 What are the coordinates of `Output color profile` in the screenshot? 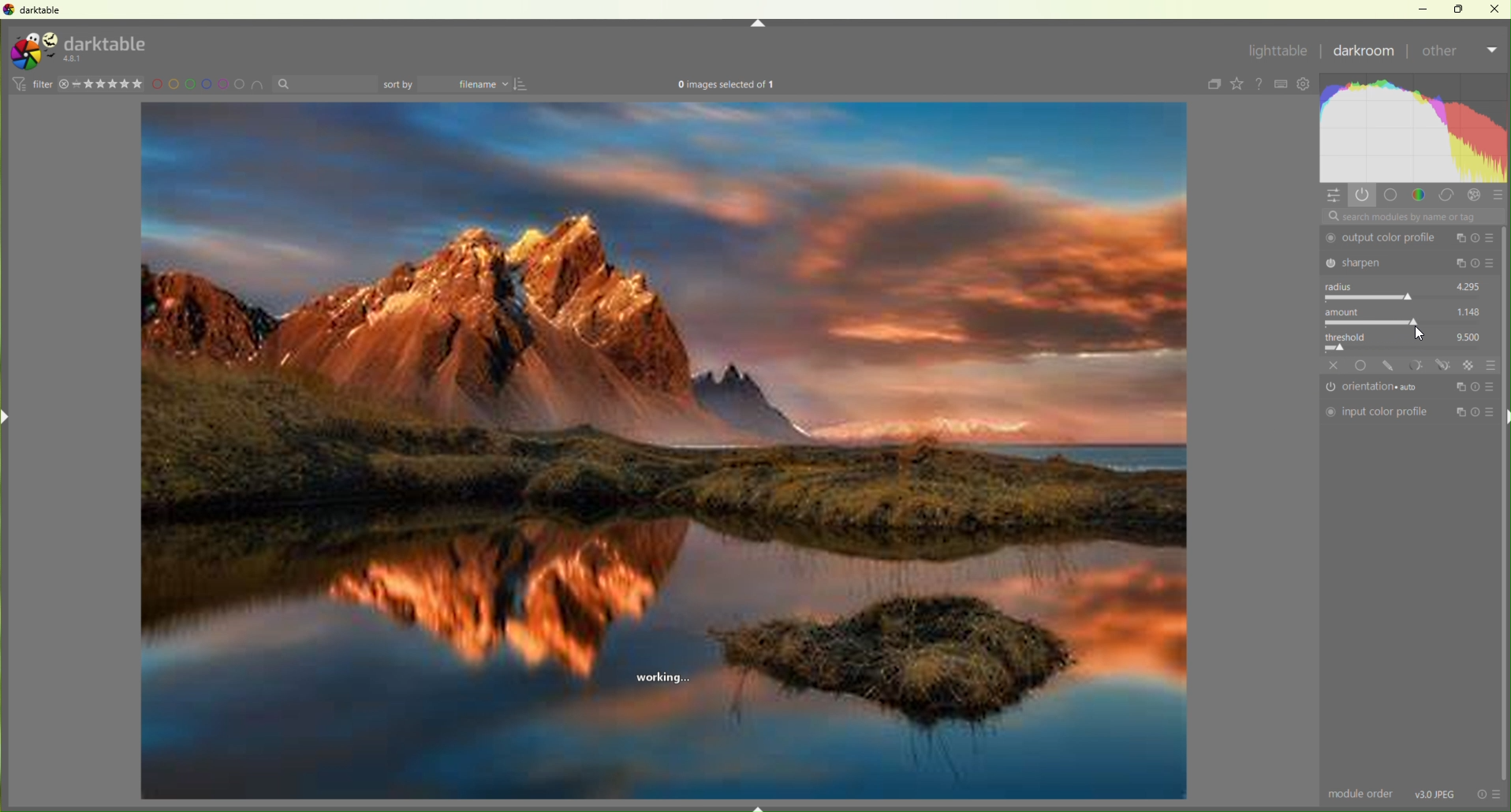 It's located at (1384, 238).